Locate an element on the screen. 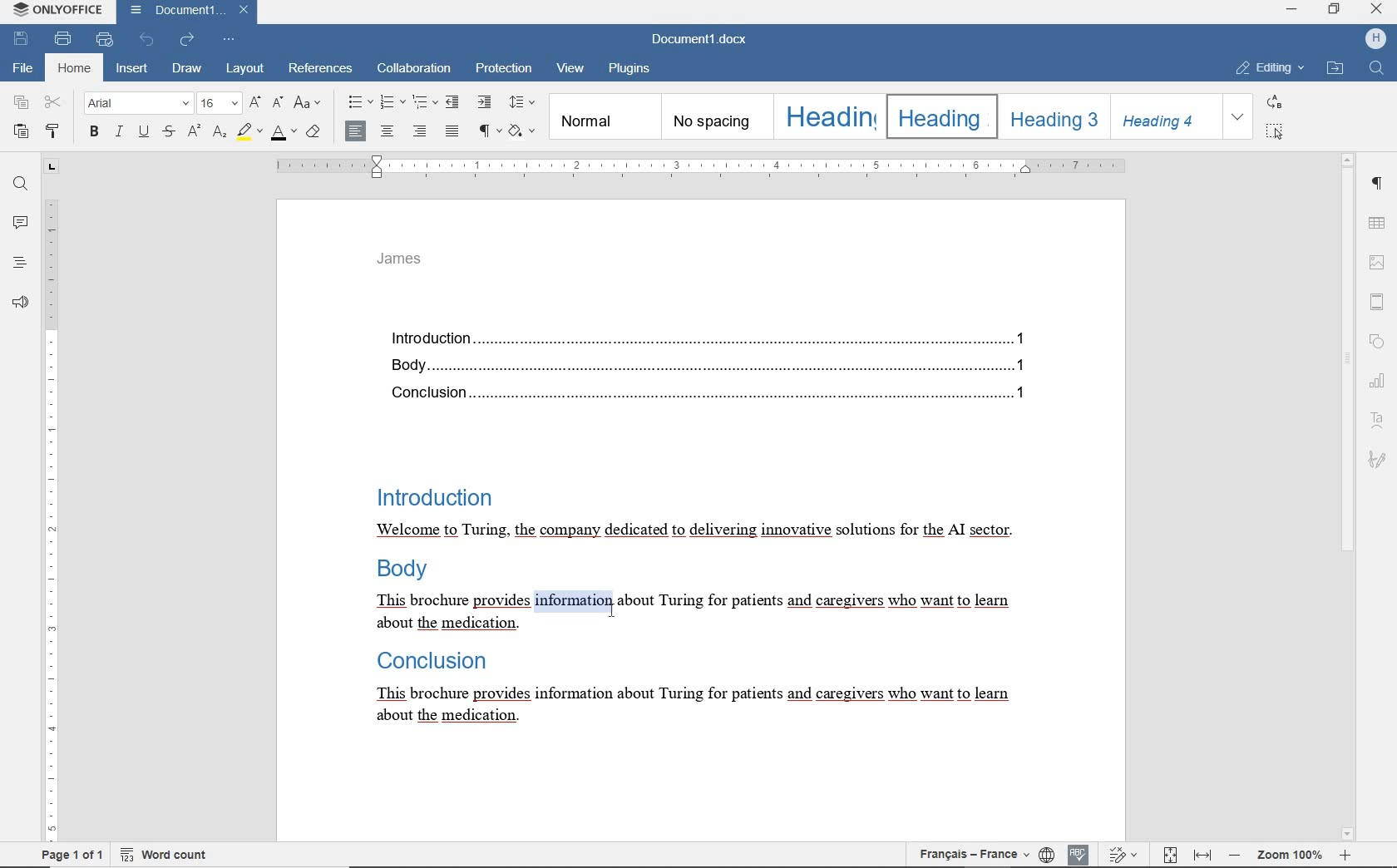 This screenshot has height=868, width=1397. DOCUMENT NAME is located at coordinates (706, 40).